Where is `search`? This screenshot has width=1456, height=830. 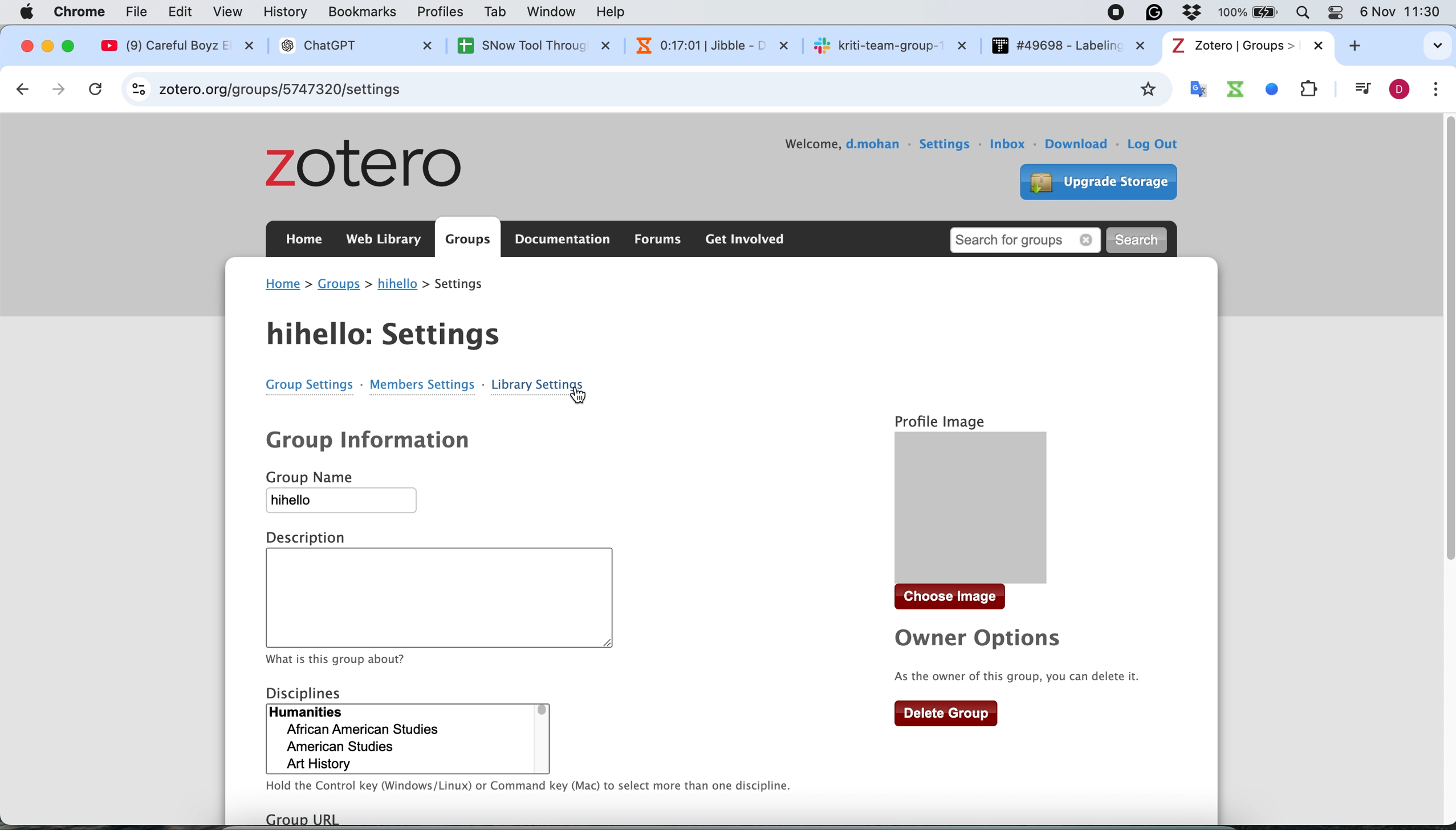 search is located at coordinates (1141, 239).